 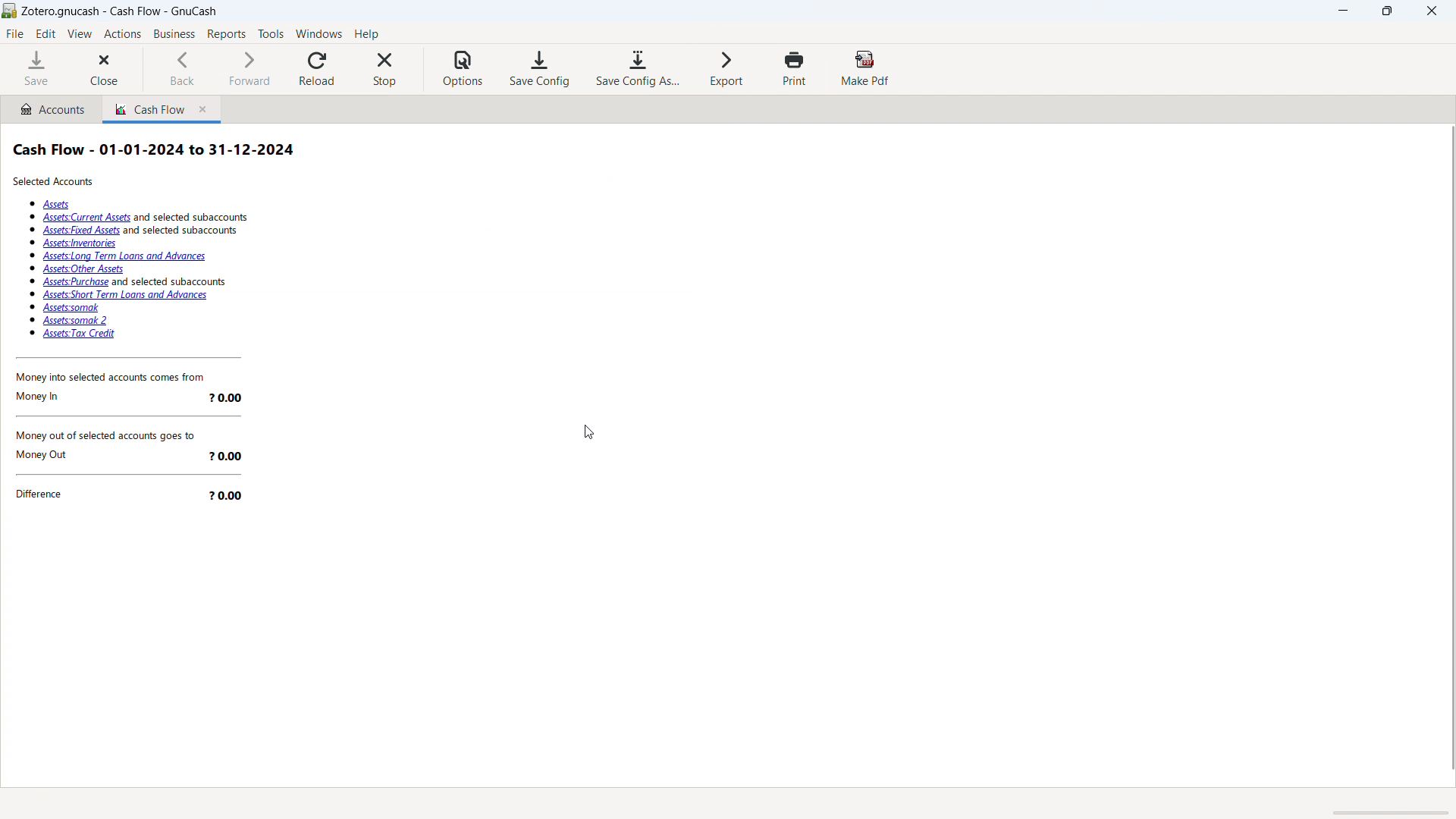 What do you see at coordinates (587, 430) in the screenshot?
I see `cursor` at bounding box center [587, 430].